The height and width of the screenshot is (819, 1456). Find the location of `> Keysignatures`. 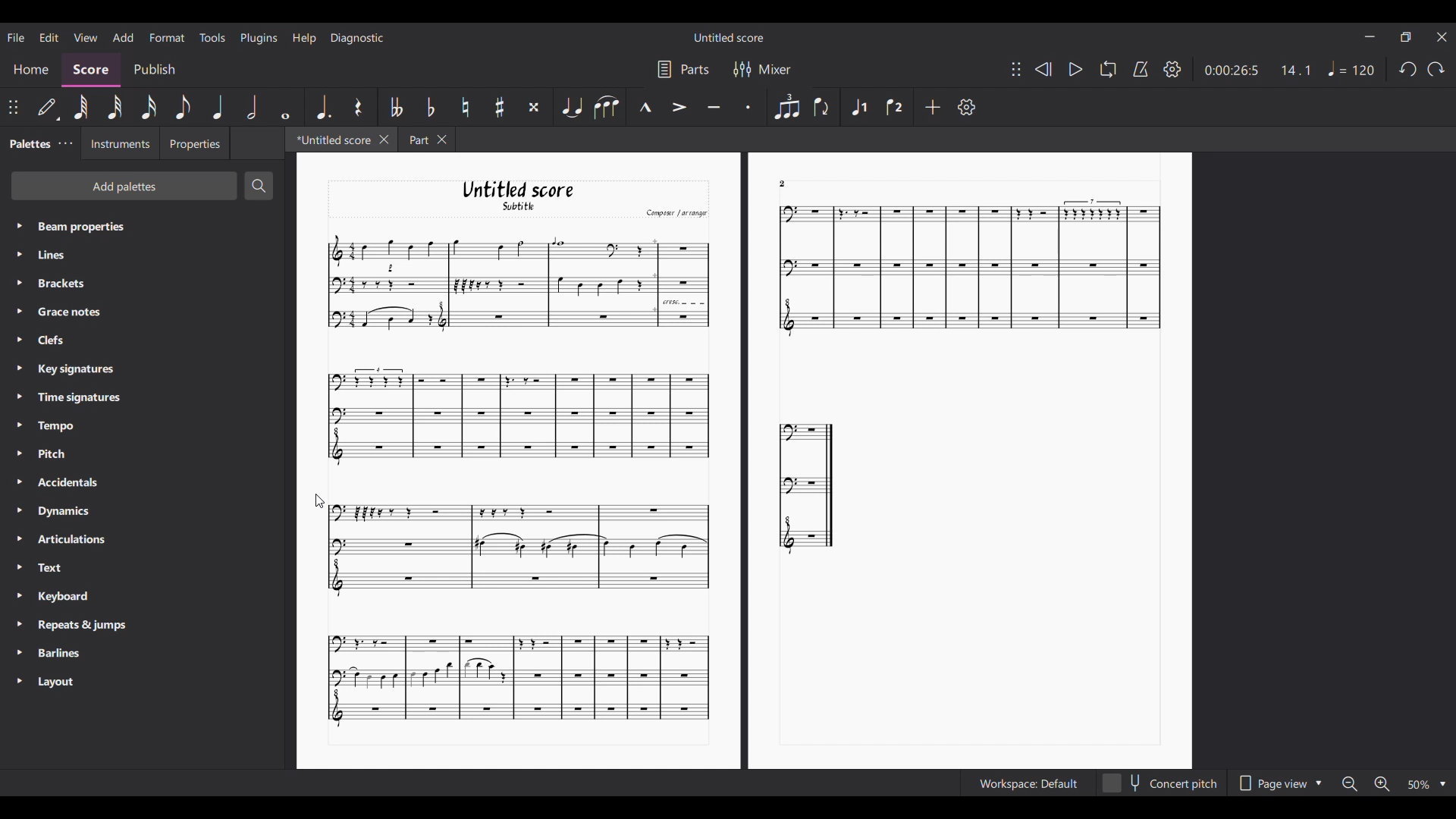

> Keysignatures is located at coordinates (67, 367).